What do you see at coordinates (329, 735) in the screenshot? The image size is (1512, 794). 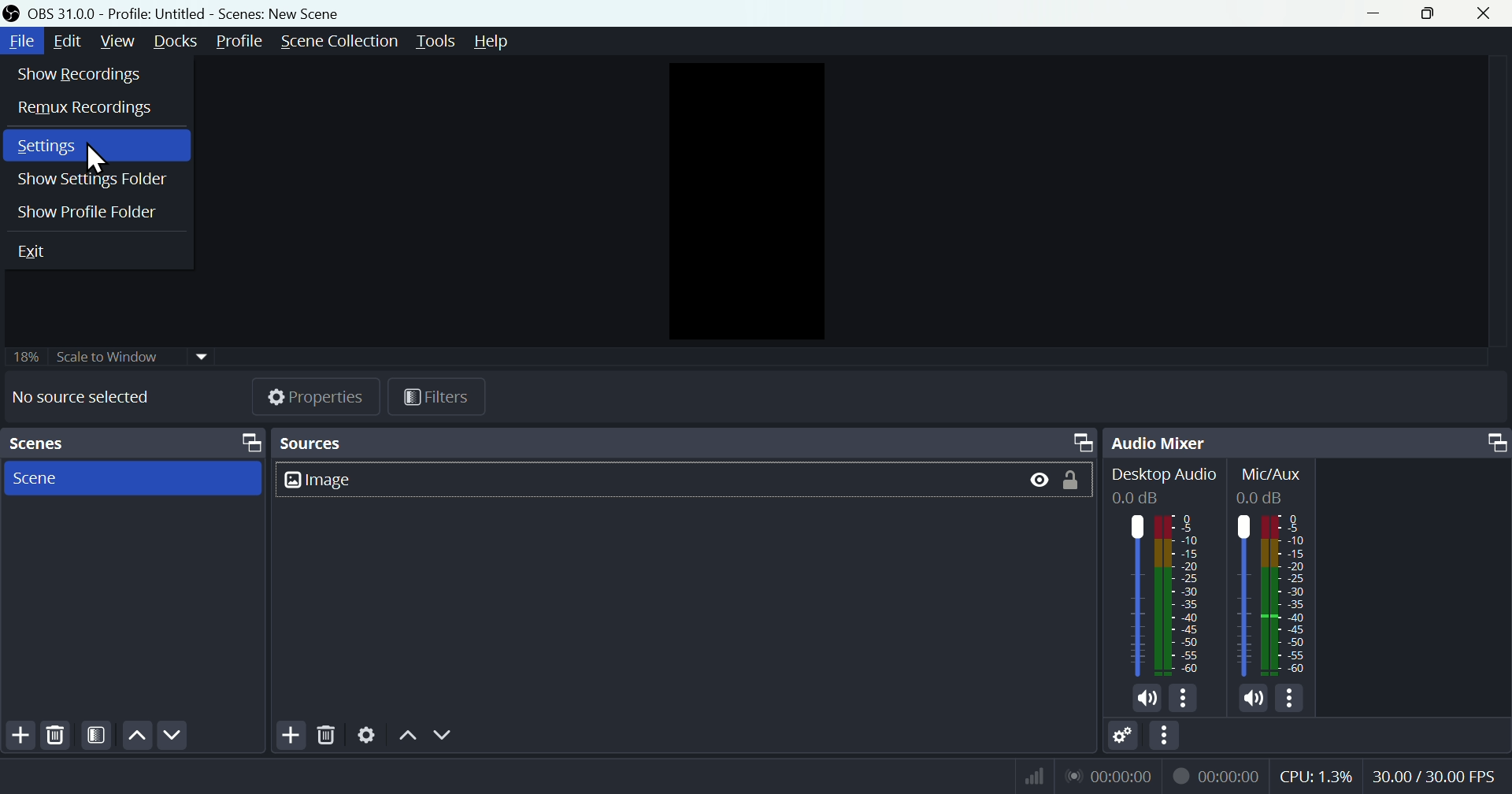 I see `Delete` at bounding box center [329, 735].